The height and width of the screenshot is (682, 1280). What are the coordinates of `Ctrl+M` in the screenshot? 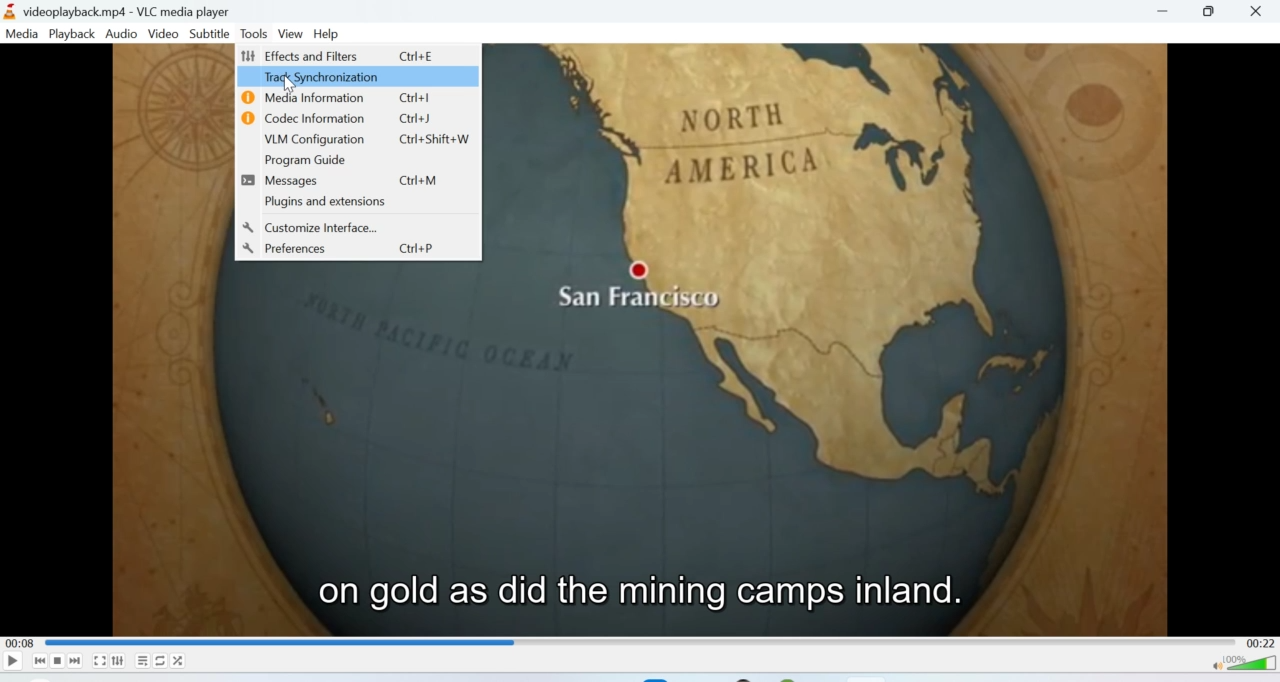 It's located at (419, 178).